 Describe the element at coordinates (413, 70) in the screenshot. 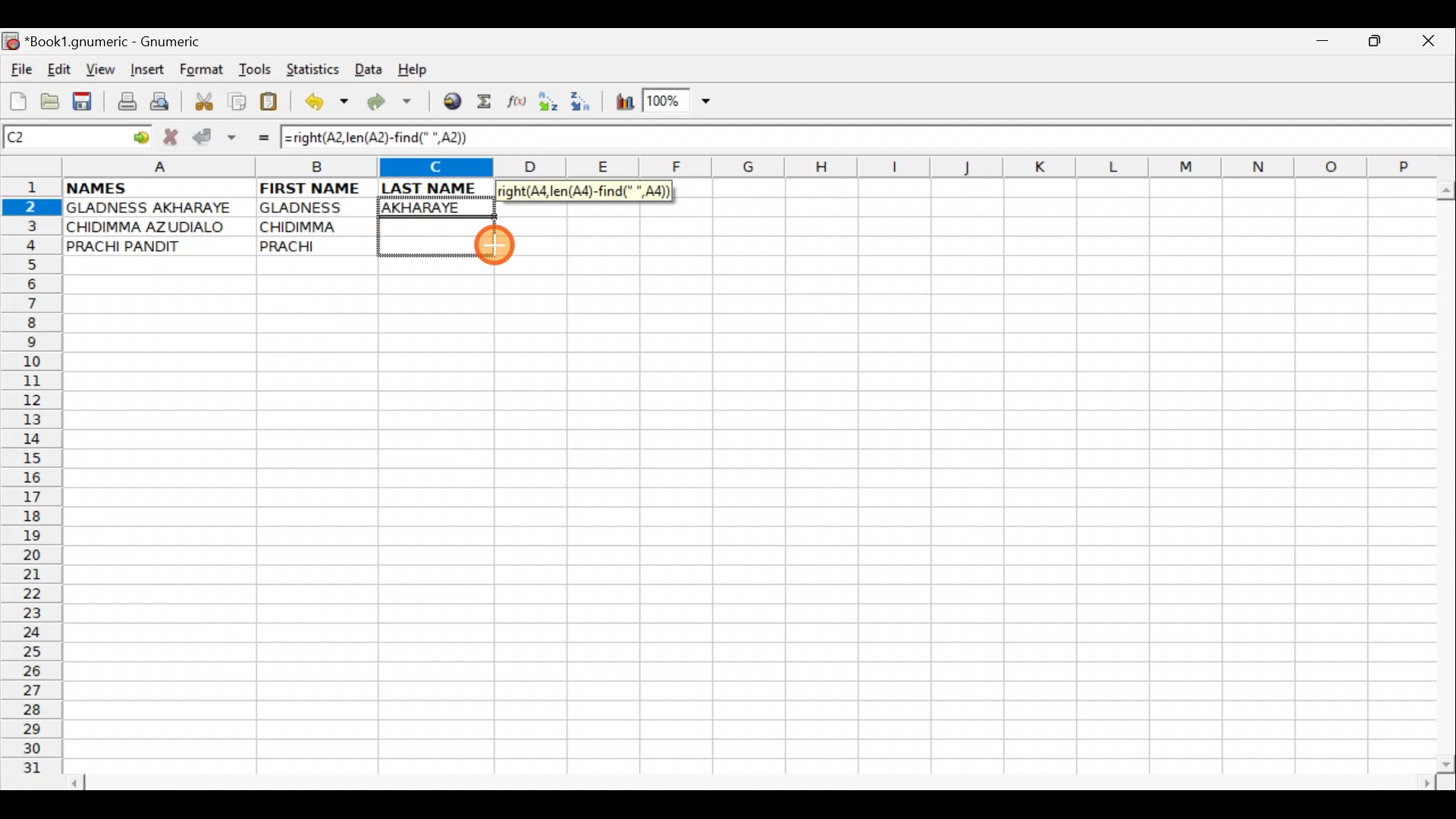

I see `Help` at that location.